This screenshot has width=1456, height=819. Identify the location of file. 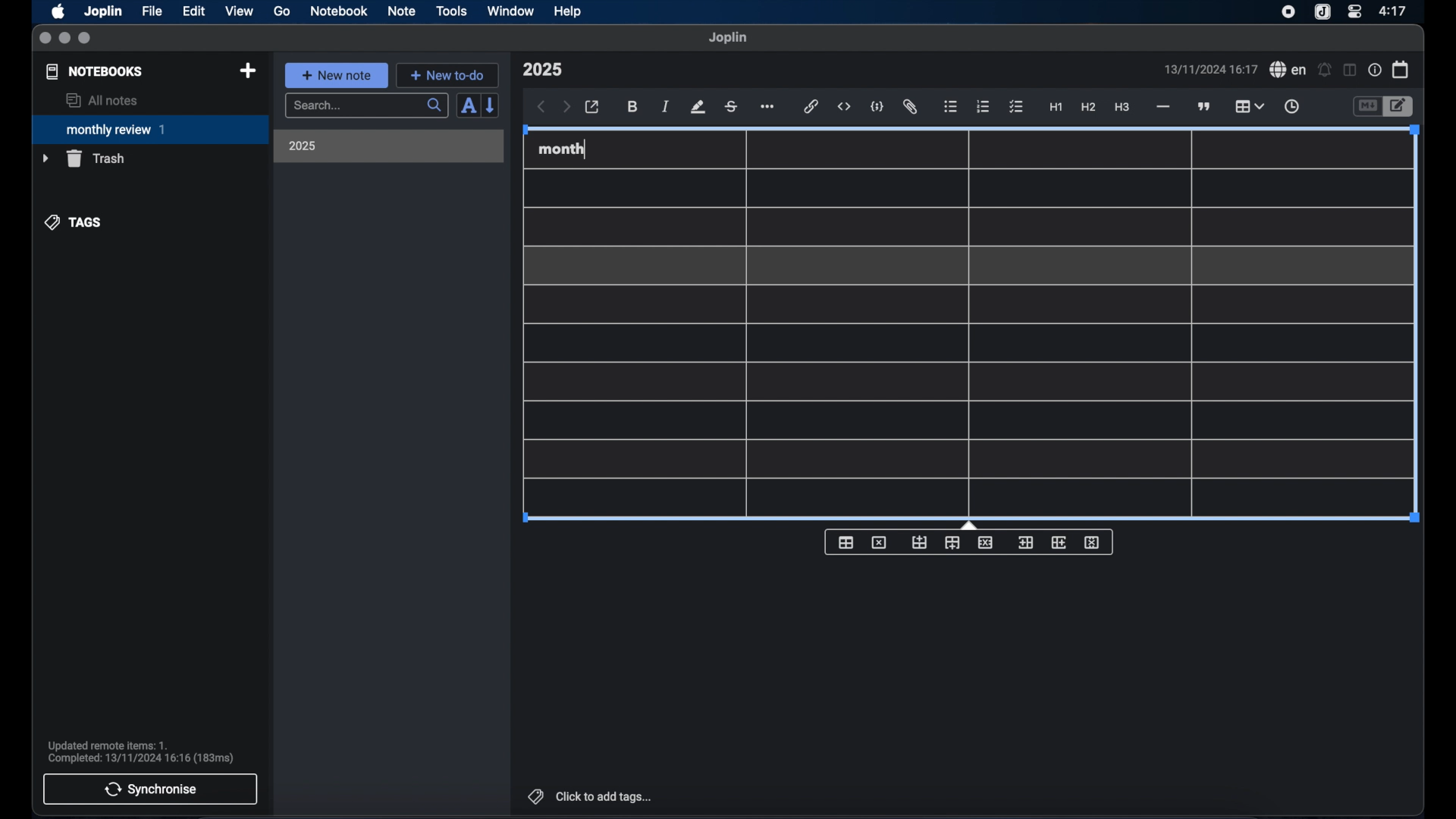
(152, 11).